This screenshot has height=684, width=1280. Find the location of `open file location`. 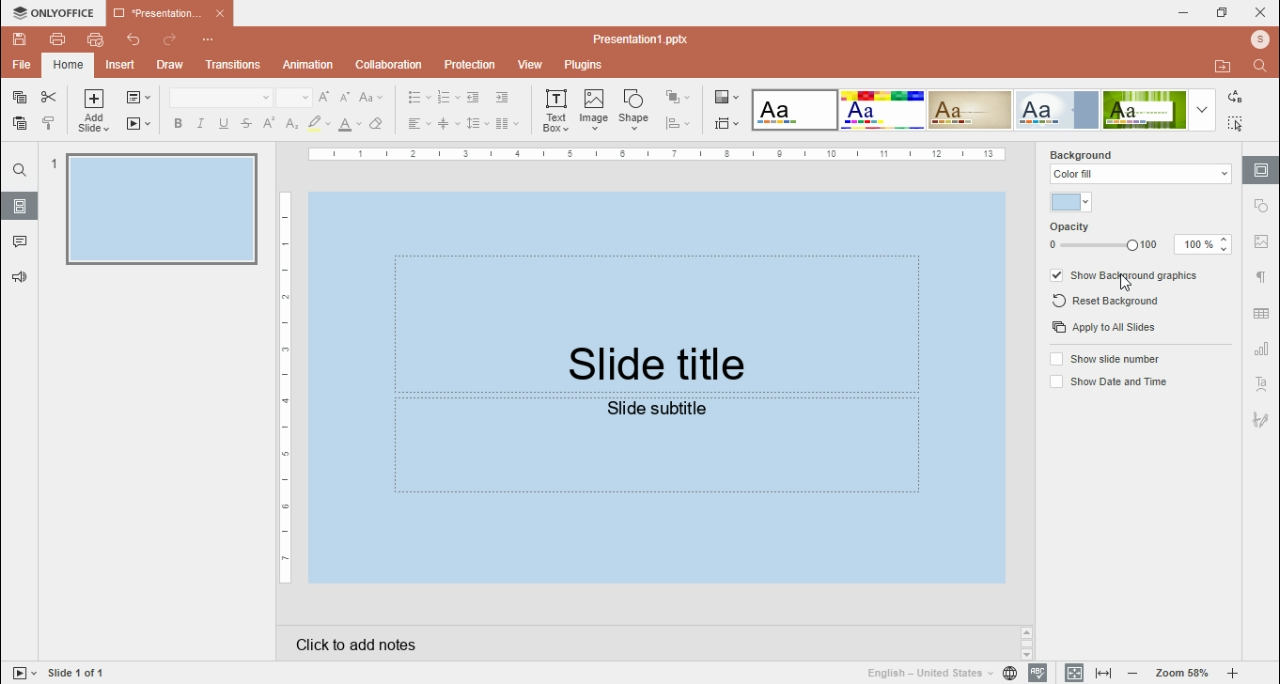

open file location is located at coordinates (1224, 68).